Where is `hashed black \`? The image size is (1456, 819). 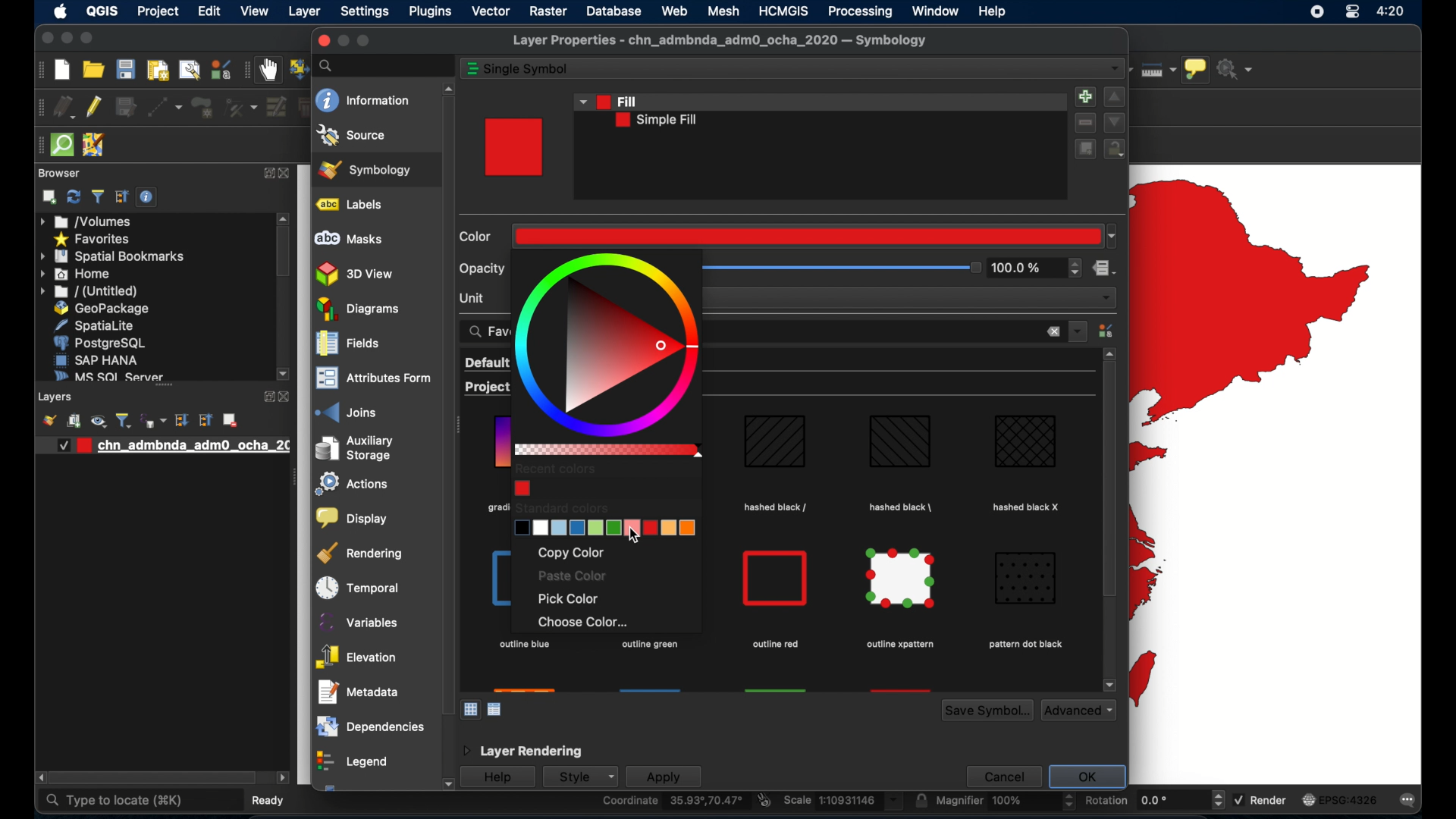
hashed black \ is located at coordinates (902, 505).